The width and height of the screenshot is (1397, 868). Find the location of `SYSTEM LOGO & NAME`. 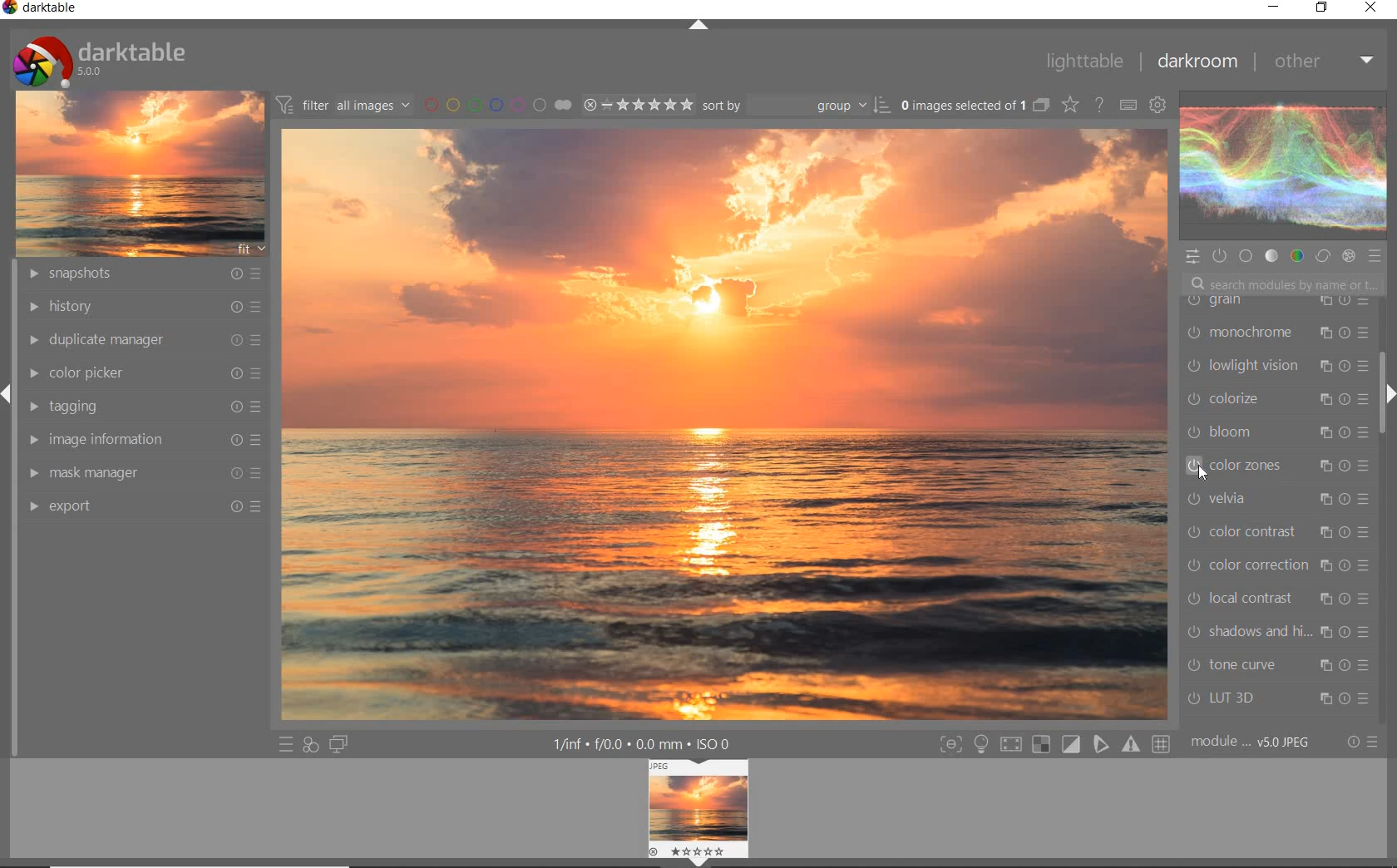

SYSTEM LOGO & NAME is located at coordinates (99, 57).